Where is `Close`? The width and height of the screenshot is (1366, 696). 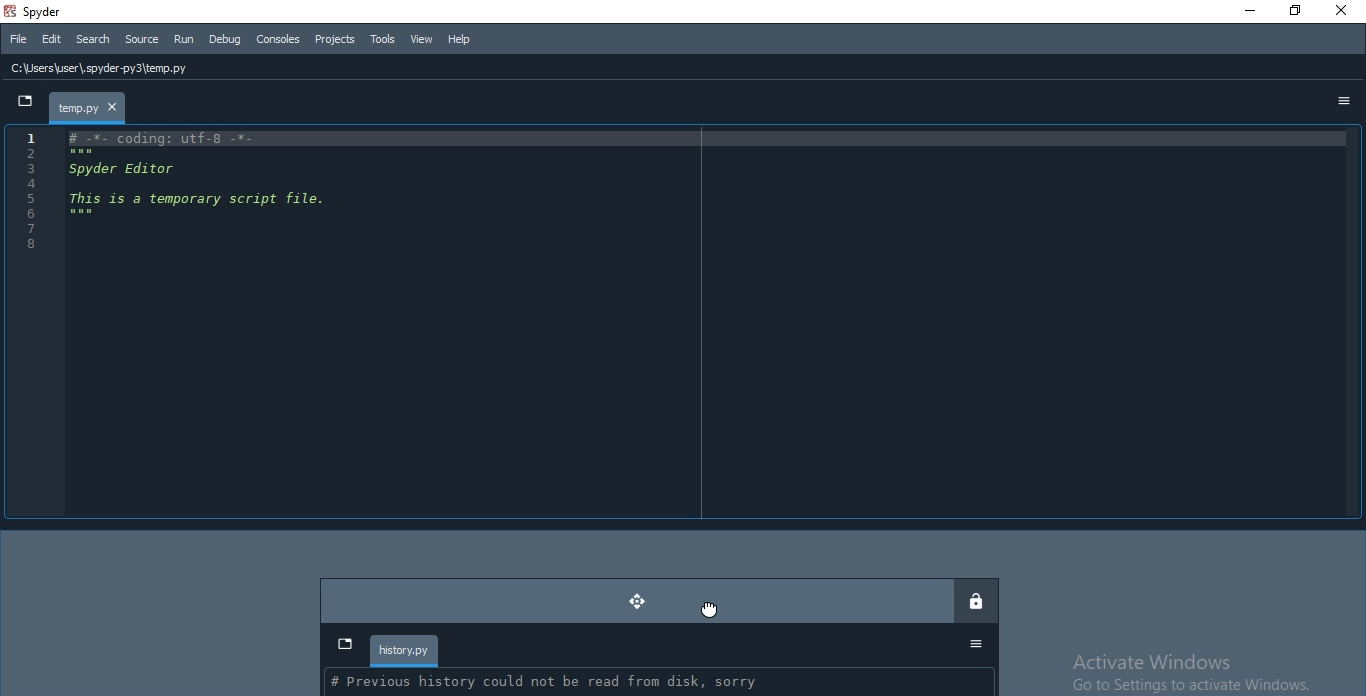 Close is located at coordinates (1345, 12).